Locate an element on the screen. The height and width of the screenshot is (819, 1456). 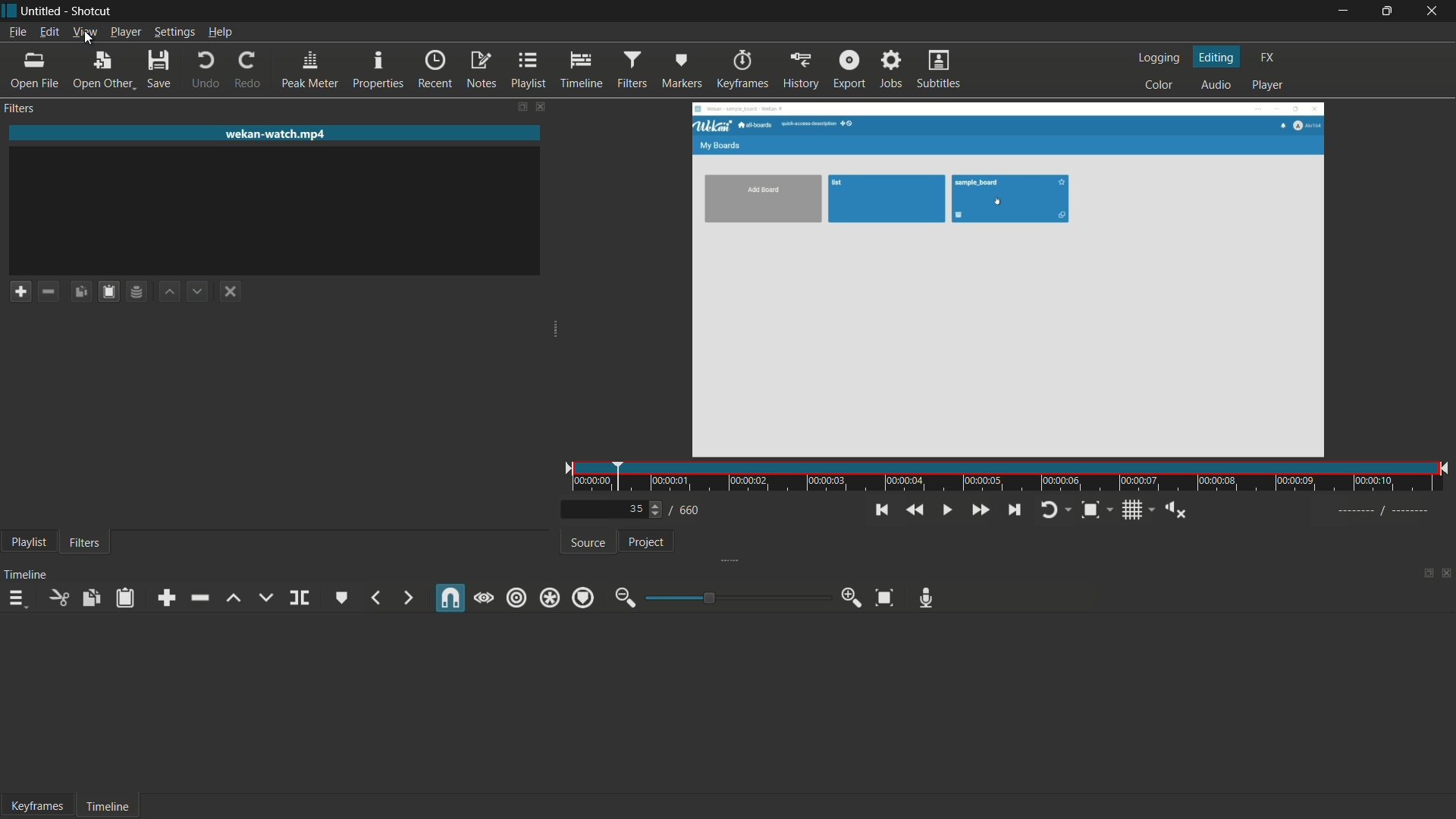
paste filters is located at coordinates (109, 292).